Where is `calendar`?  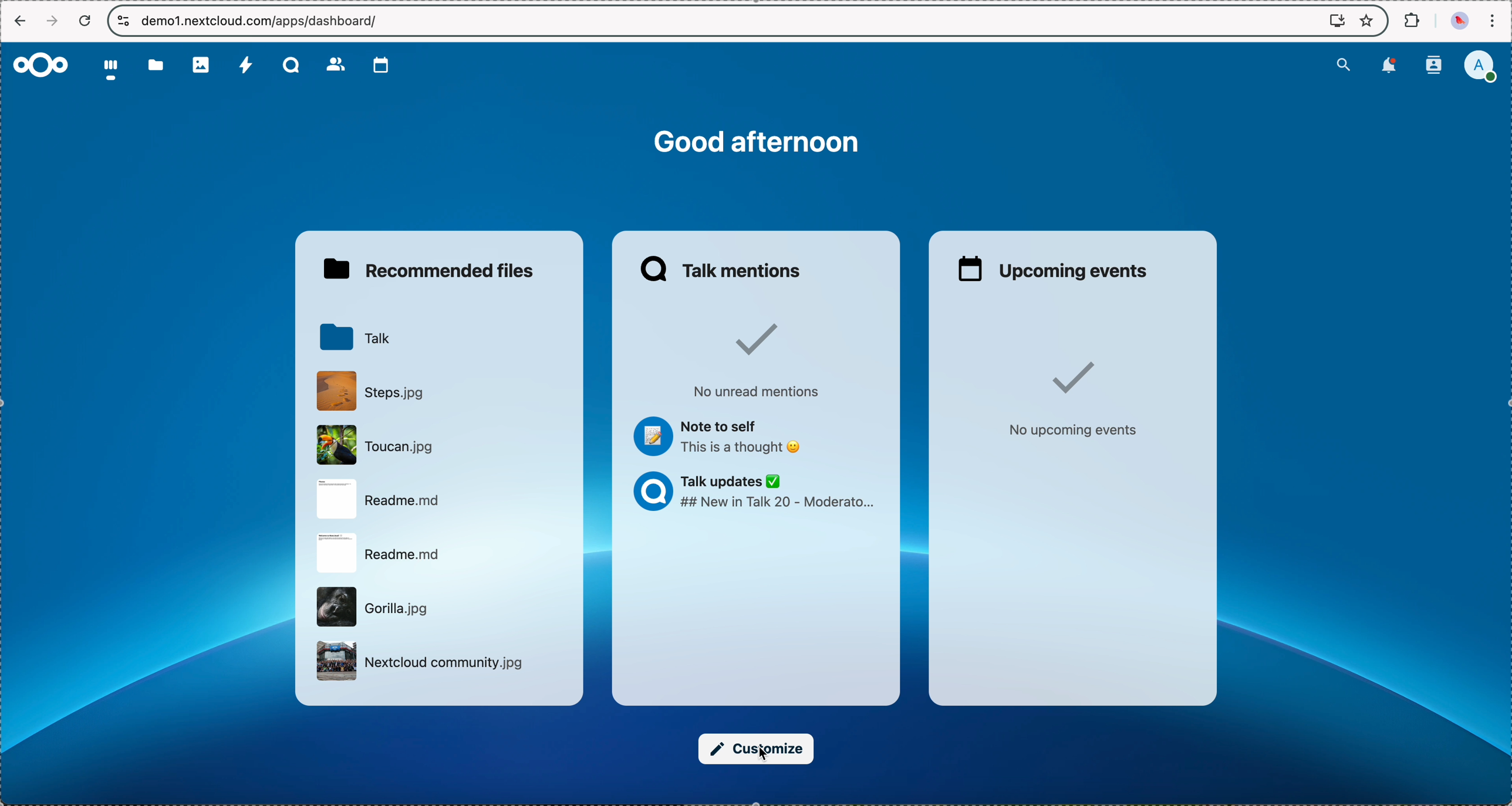
calendar is located at coordinates (381, 65).